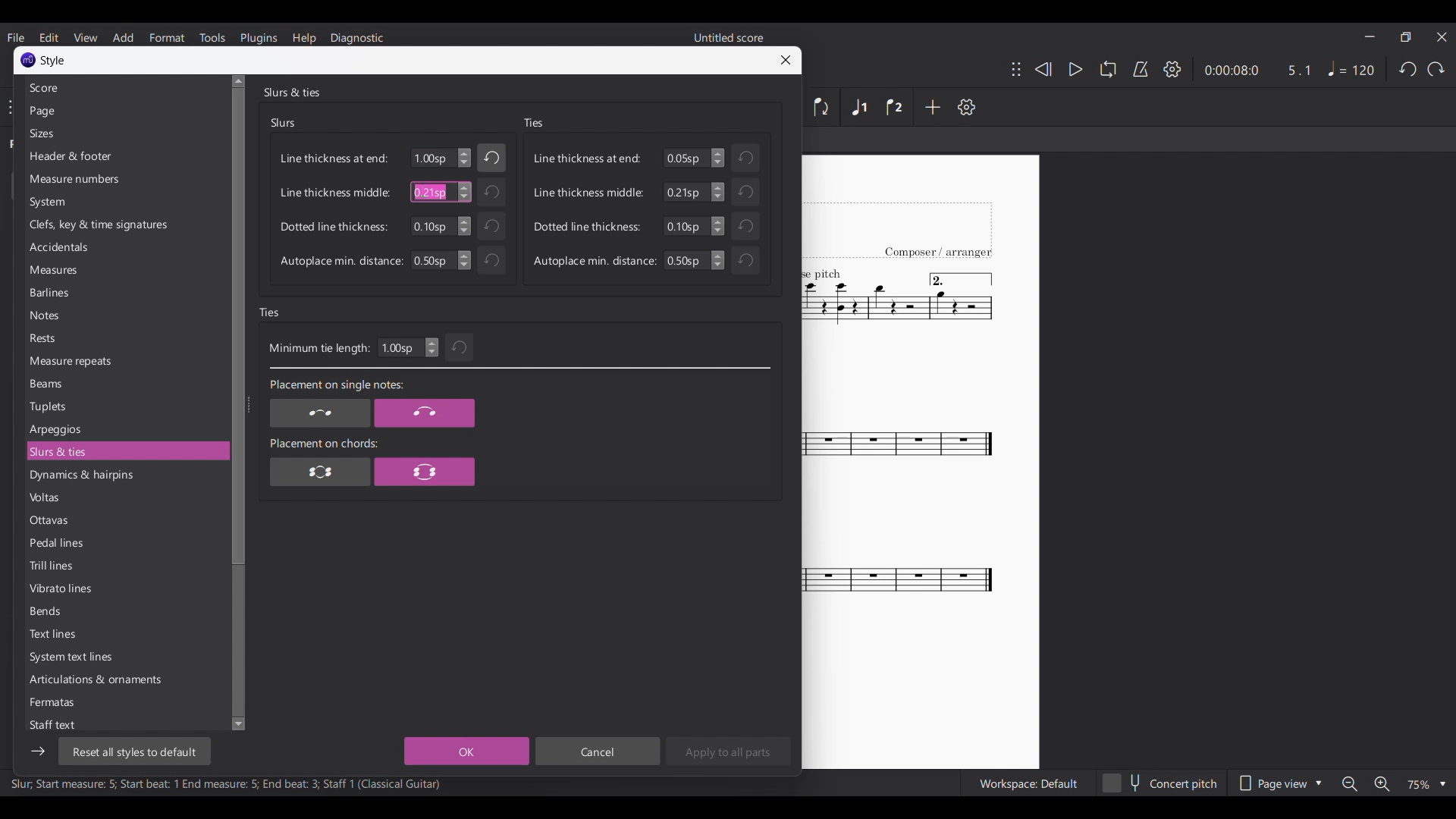 Image resolution: width=1456 pixels, height=819 pixels. What do you see at coordinates (491, 260) in the screenshot?
I see `Undo` at bounding box center [491, 260].